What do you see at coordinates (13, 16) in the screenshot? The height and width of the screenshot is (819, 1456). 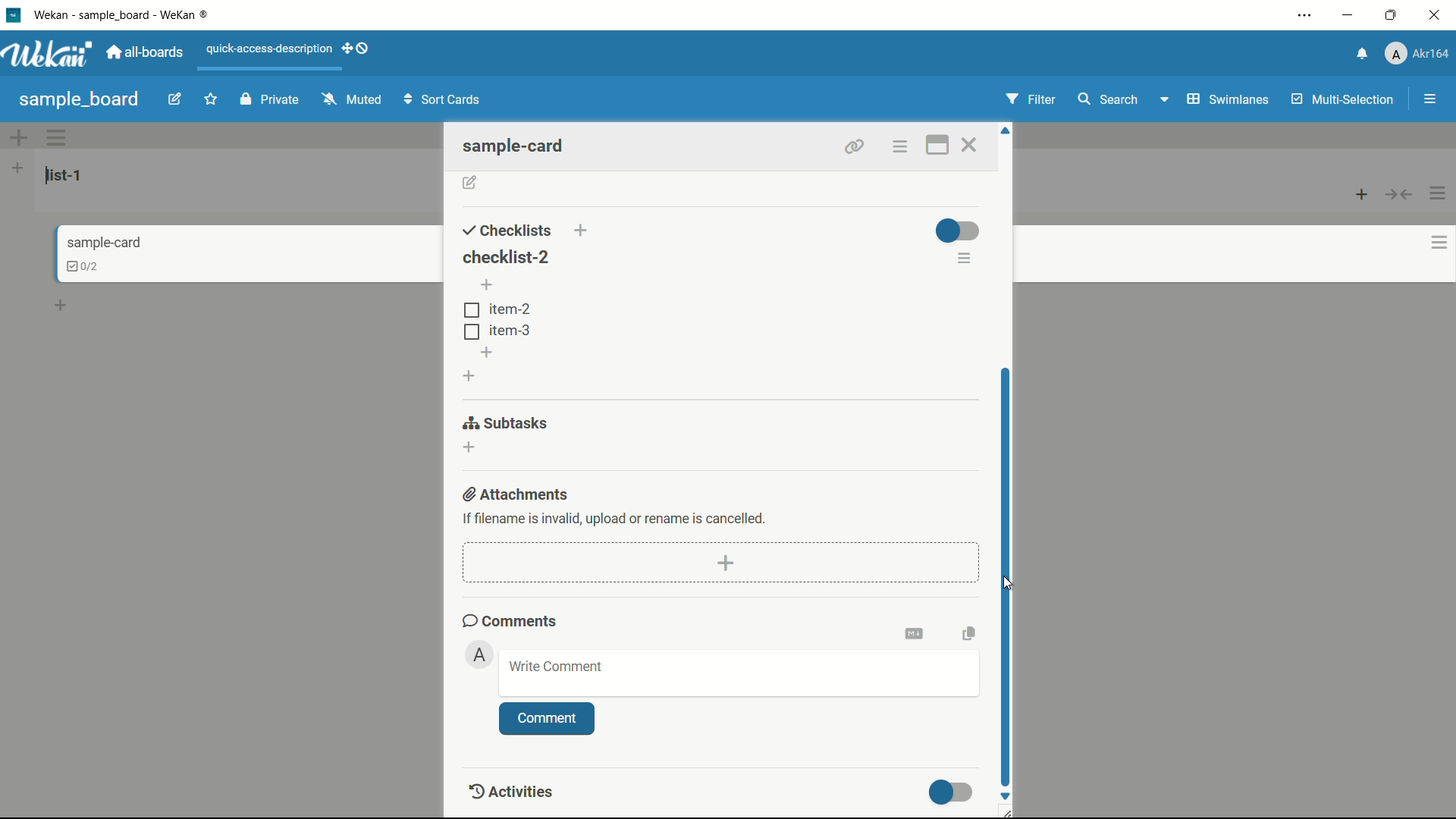 I see `app icon` at bounding box center [13, 16].